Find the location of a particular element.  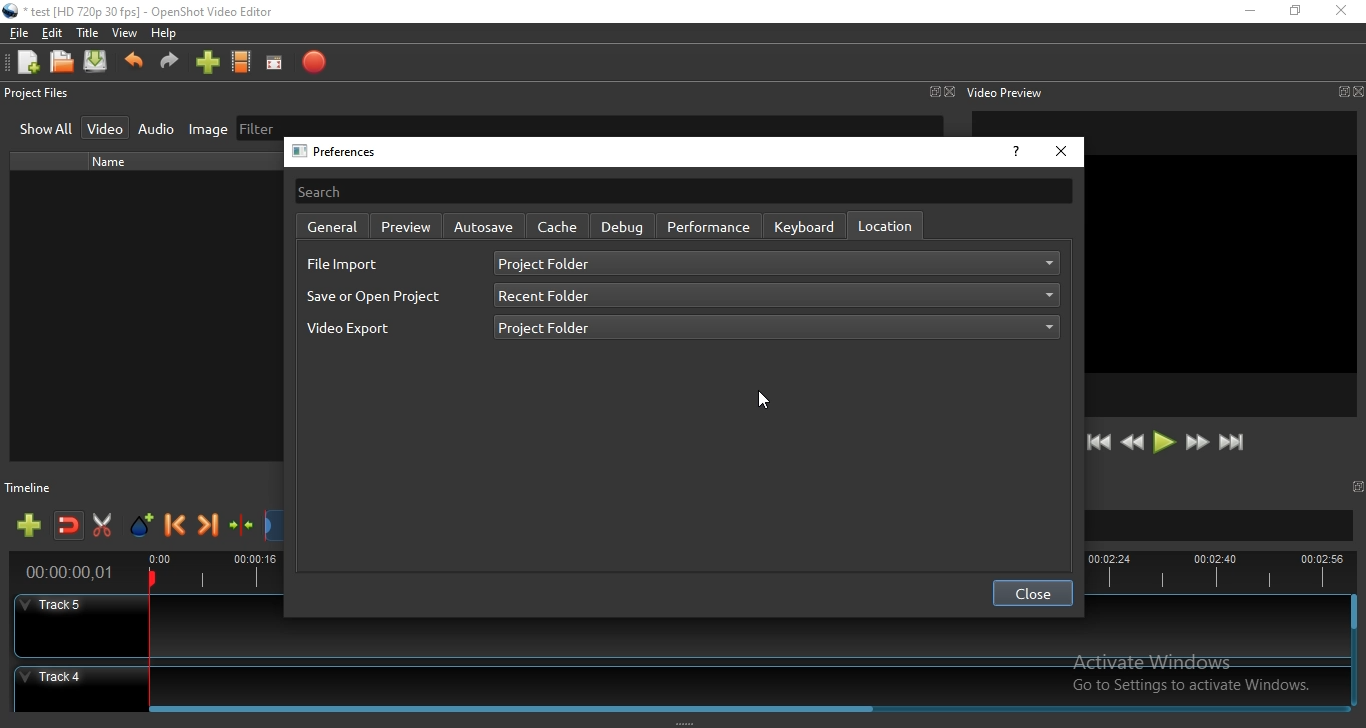

file input is located at coordinates (343, 265).